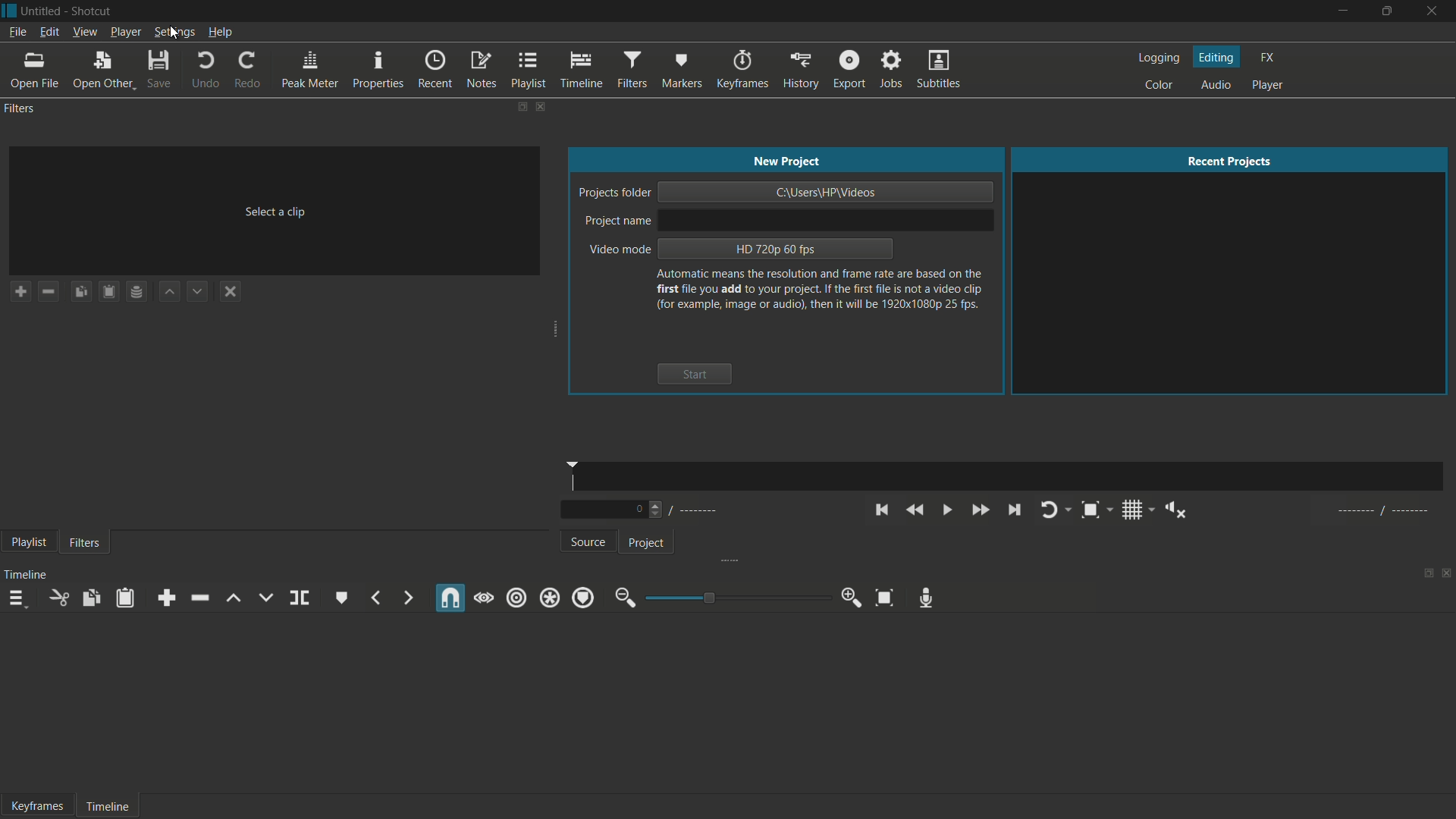 This screenshot has width=1456, height=819. Describe the element at coordinates (164, 71) in the screenshot. I see `save` at that location.